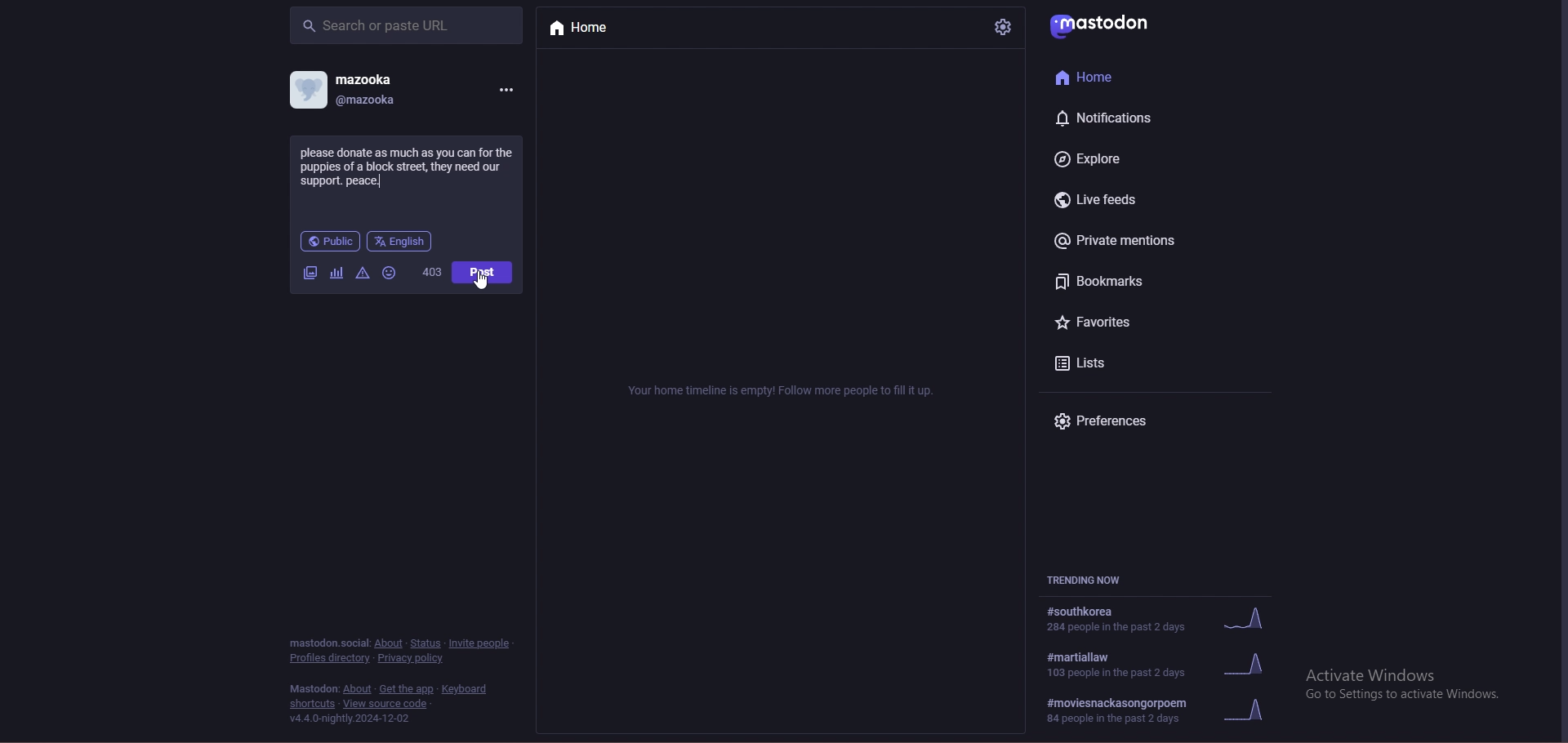  Describe the element at coordinates (1144, 418) in the screenshot. I see `preferences` at that location.